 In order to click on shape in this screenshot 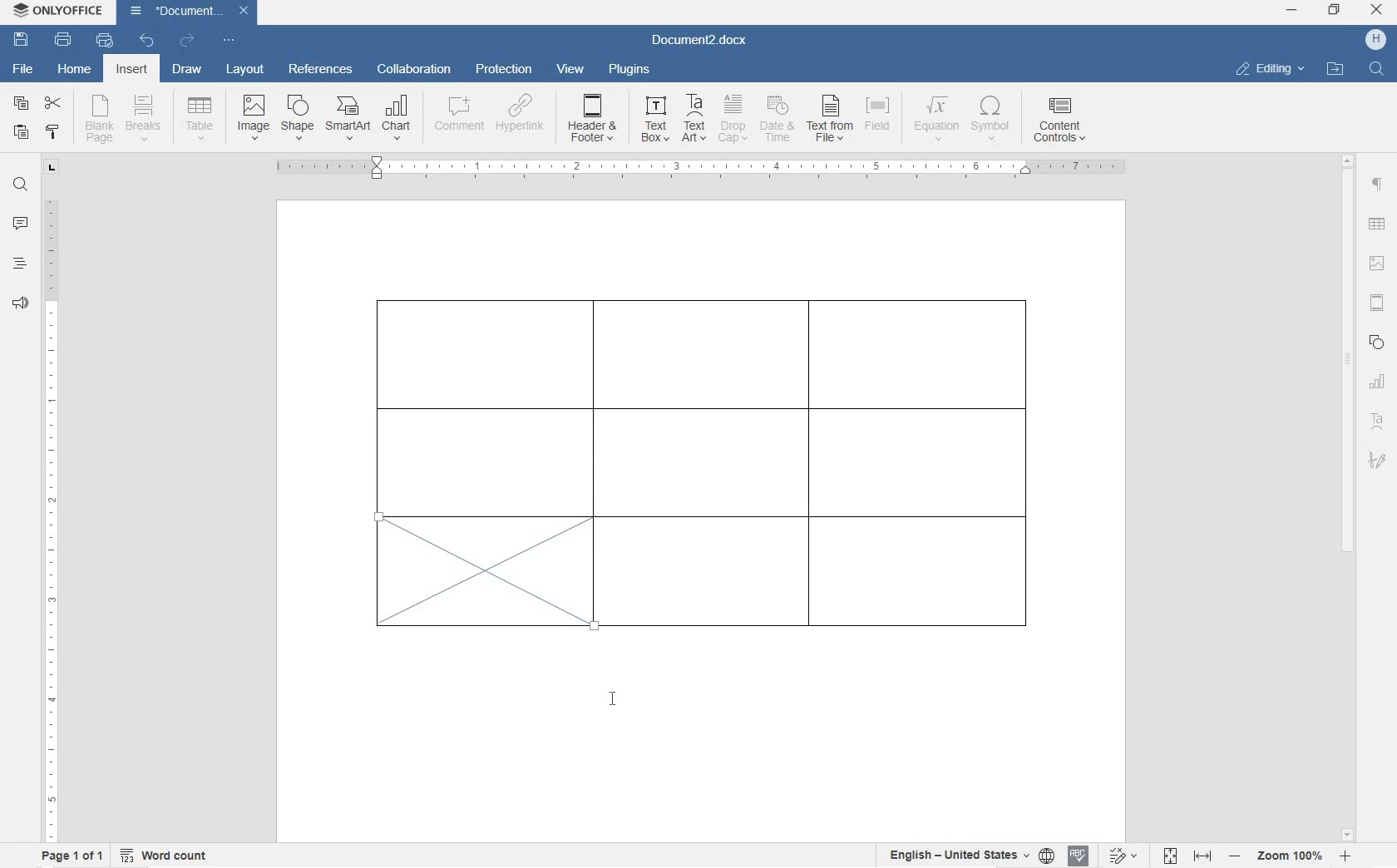, I will do `click(1377, 342)`.